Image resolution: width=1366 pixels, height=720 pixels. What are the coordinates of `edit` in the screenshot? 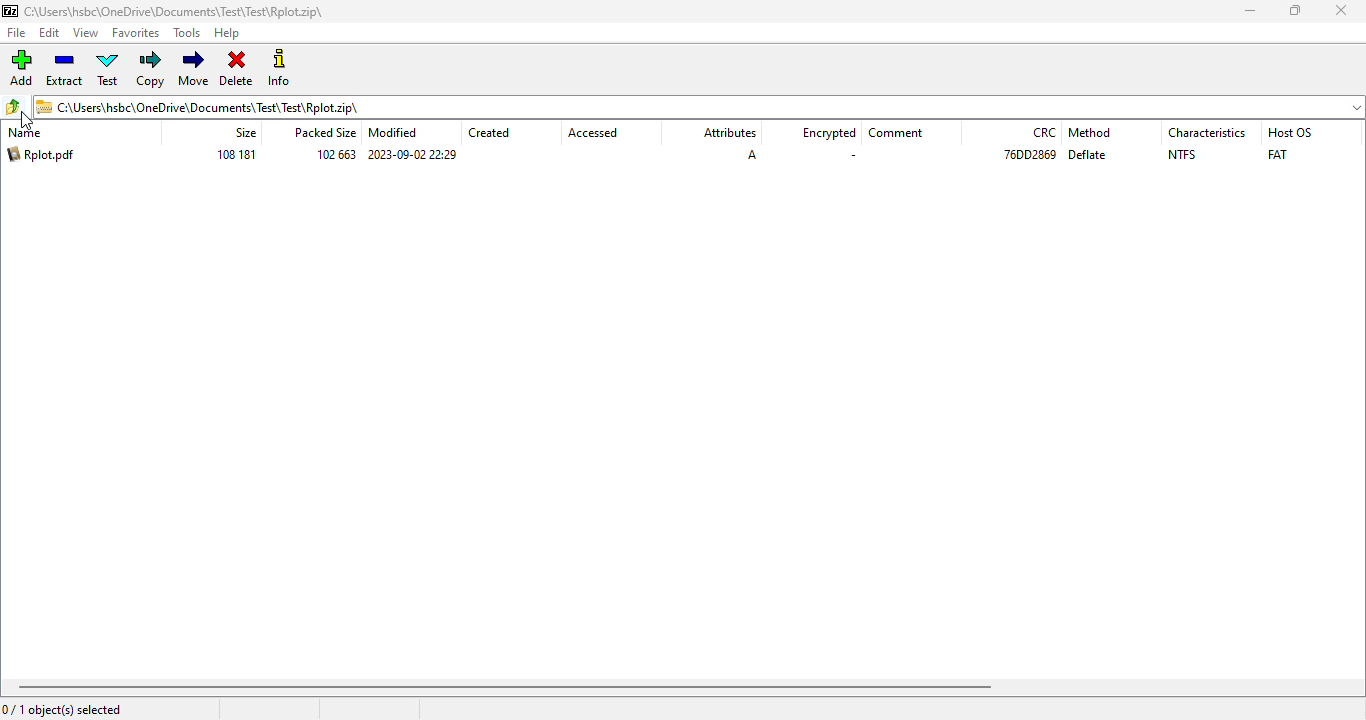 It's located at (49, 32).